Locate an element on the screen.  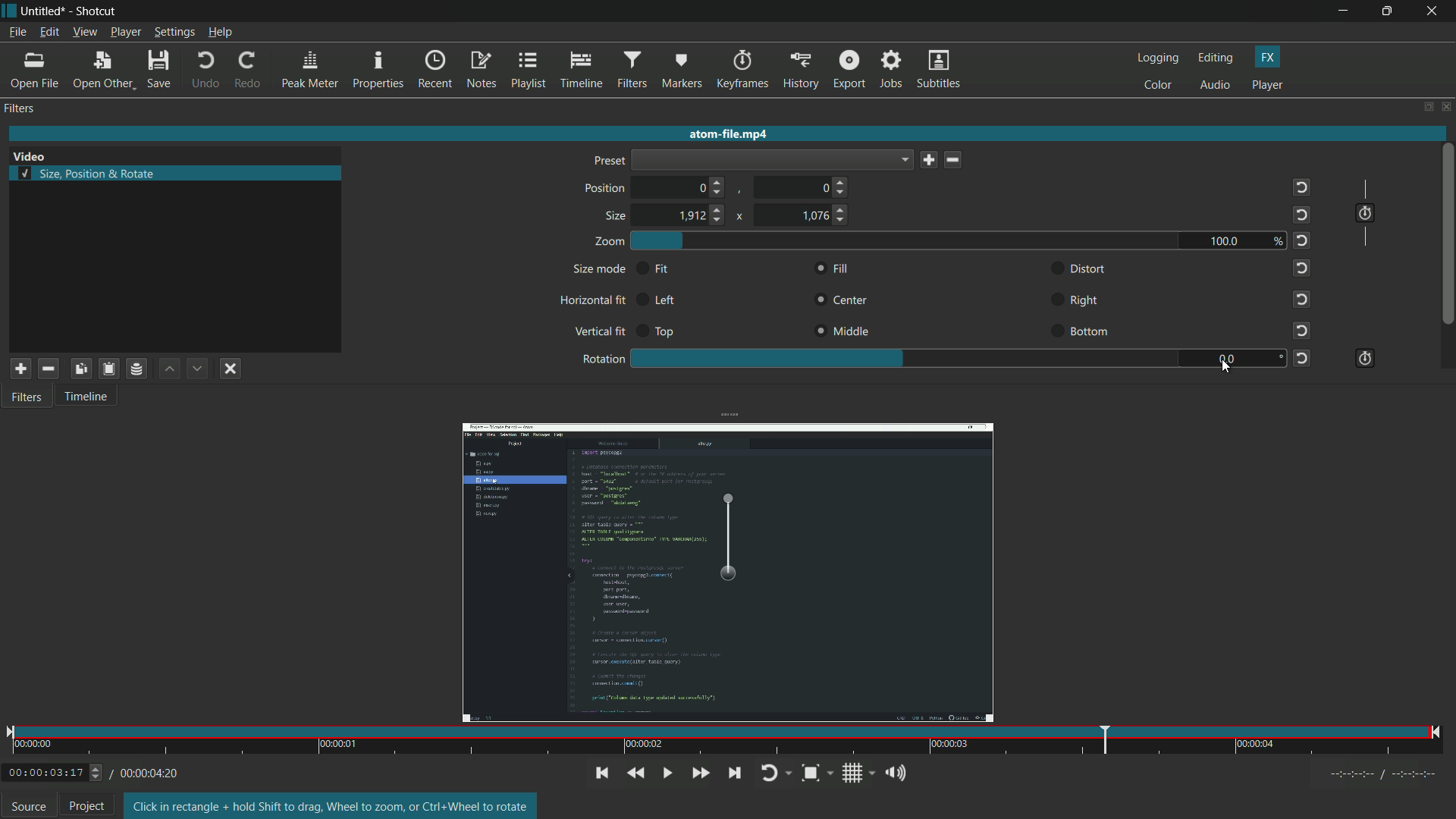
% is located at coordinates (1280, 241).